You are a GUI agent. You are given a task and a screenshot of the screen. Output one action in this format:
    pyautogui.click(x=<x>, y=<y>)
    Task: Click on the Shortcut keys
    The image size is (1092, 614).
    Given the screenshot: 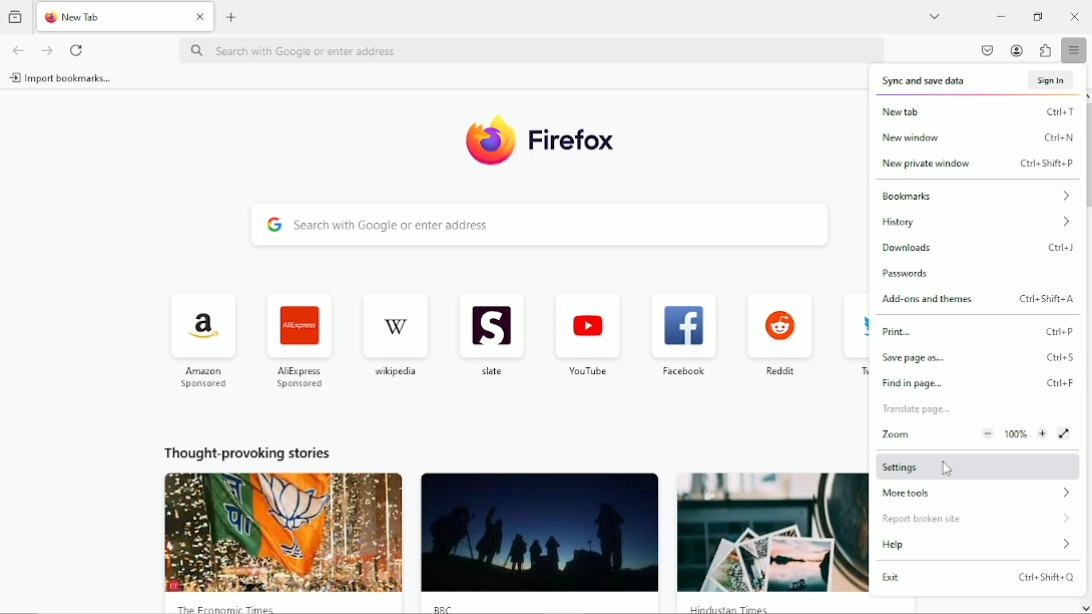 What is the action you would take?
    pyautogui.click(x=1047, y=578)
    